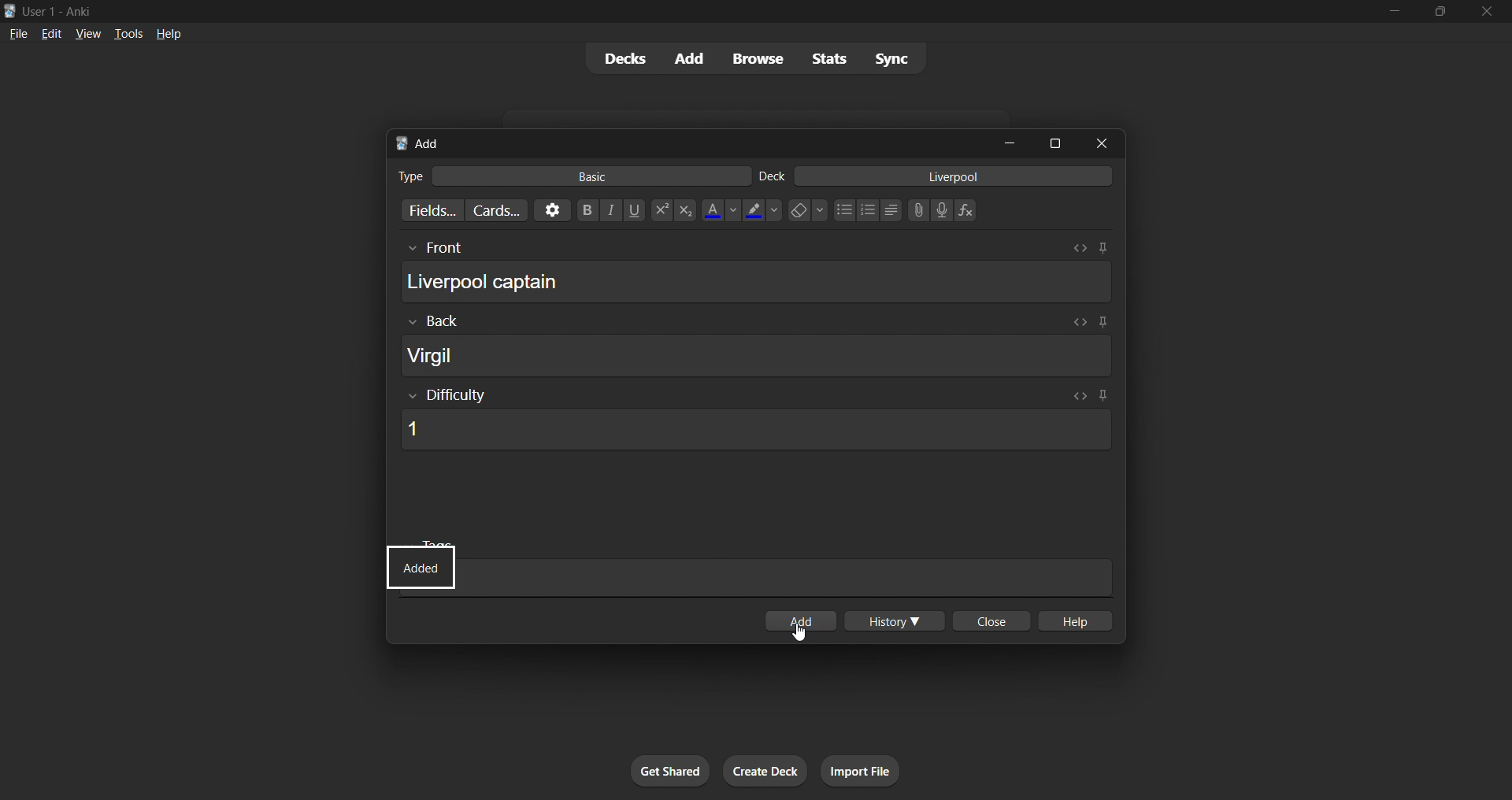 The height and width of the screenshot is (800, 1512). I want to click on add, so click(691, 59).